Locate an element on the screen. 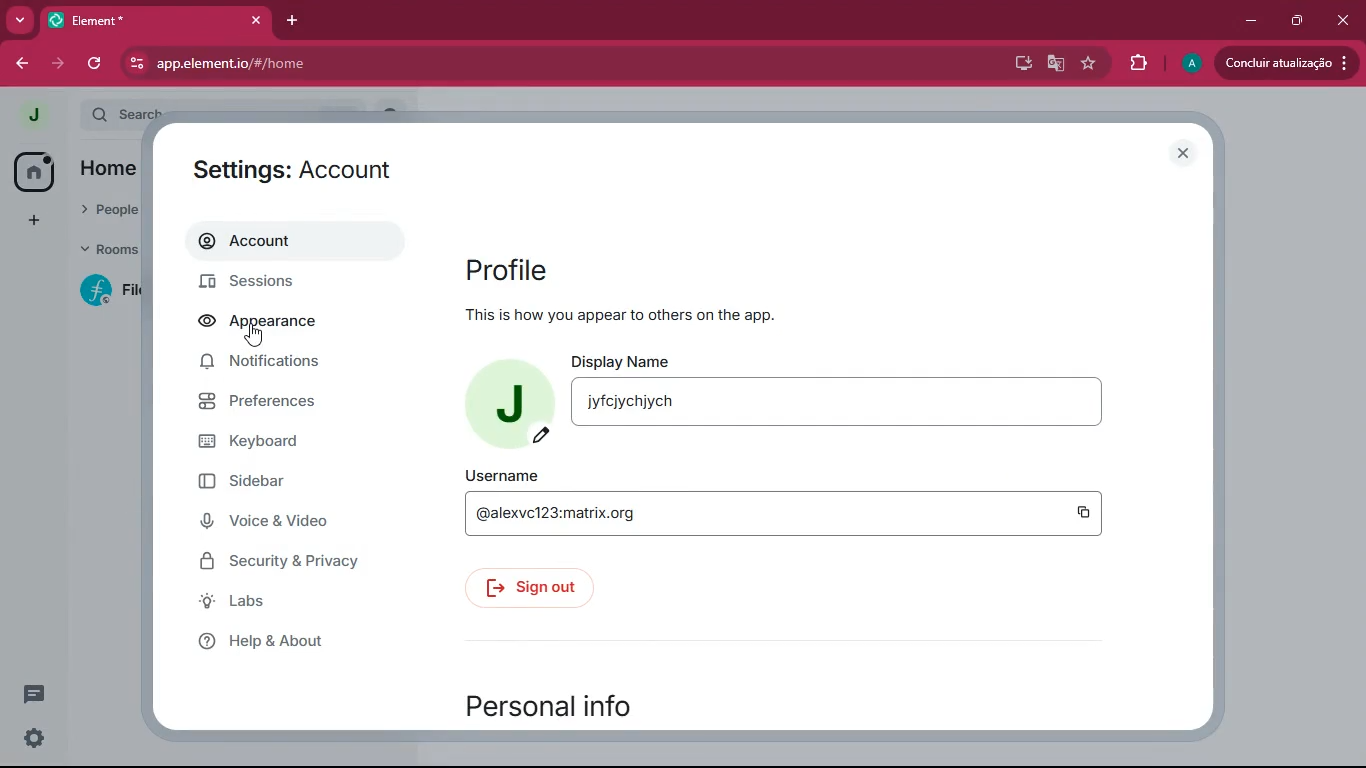 The height and width of the screenshot is (768, 1366). close is located at coordinates (256, 20).